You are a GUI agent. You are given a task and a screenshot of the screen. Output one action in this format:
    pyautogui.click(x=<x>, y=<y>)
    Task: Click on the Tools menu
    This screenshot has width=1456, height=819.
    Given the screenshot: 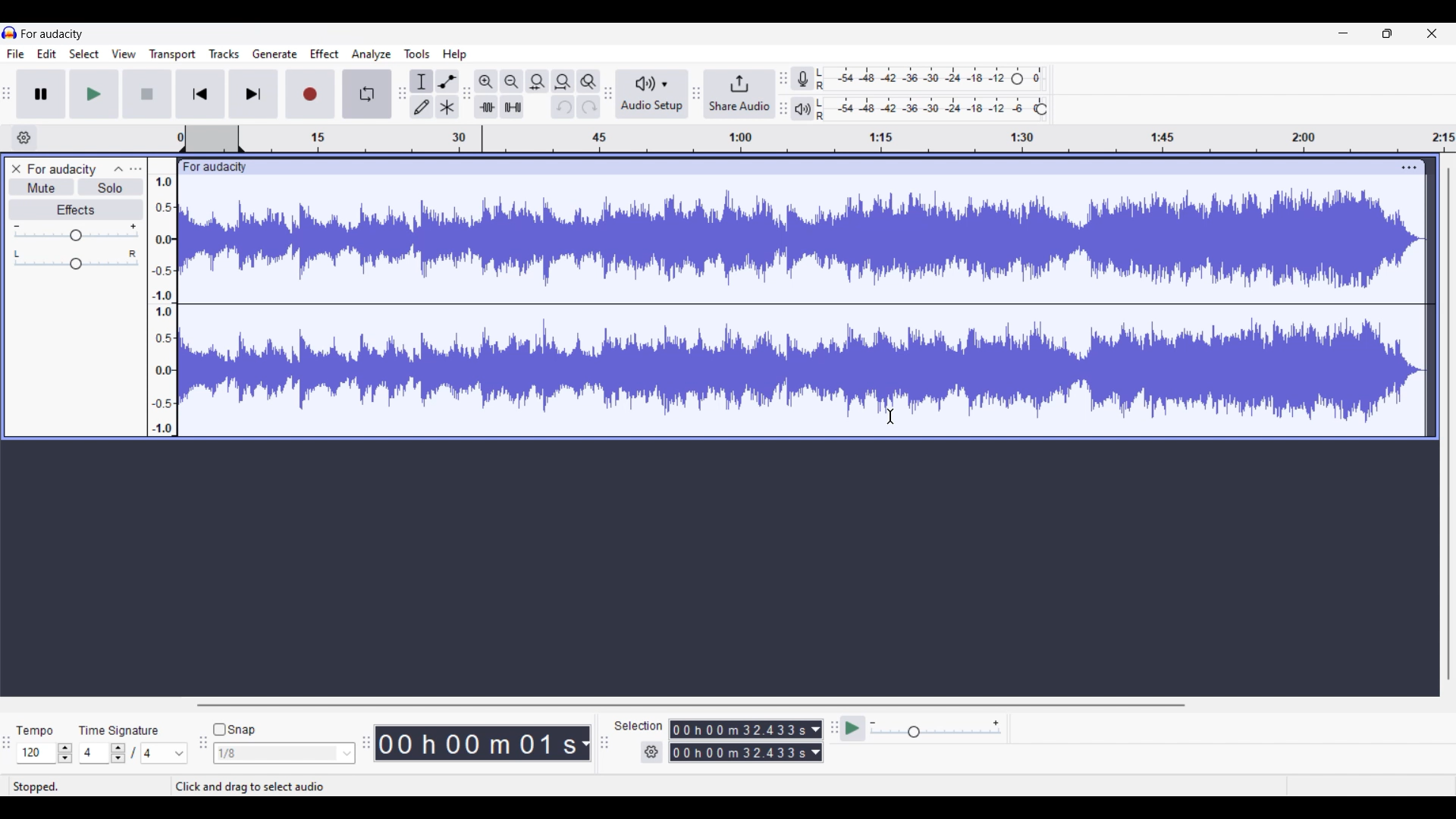 What is the action you would take?
    pyautogui.click(x=417, y=54)
    